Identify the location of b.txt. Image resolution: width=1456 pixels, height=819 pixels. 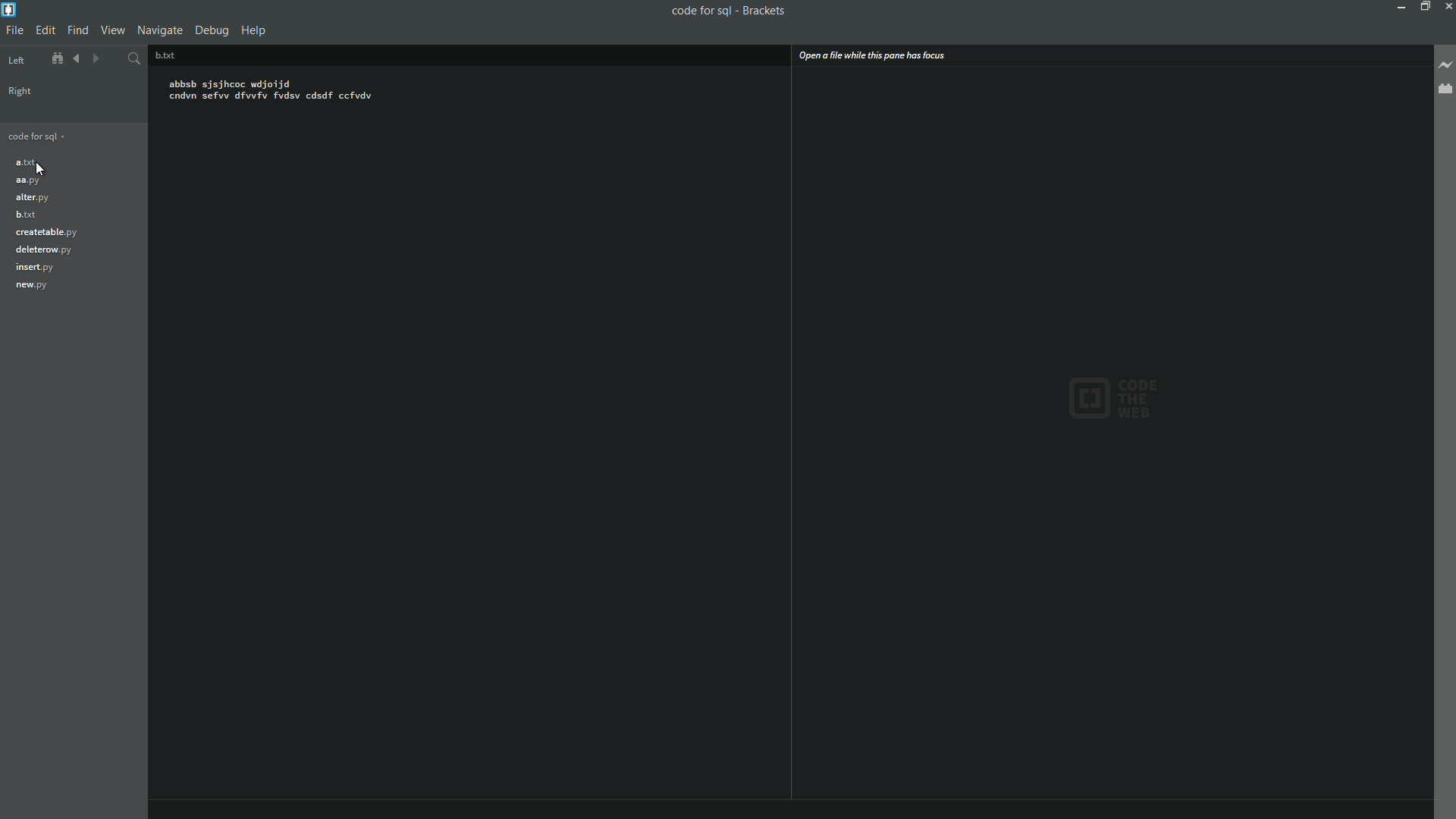
(164, 54).